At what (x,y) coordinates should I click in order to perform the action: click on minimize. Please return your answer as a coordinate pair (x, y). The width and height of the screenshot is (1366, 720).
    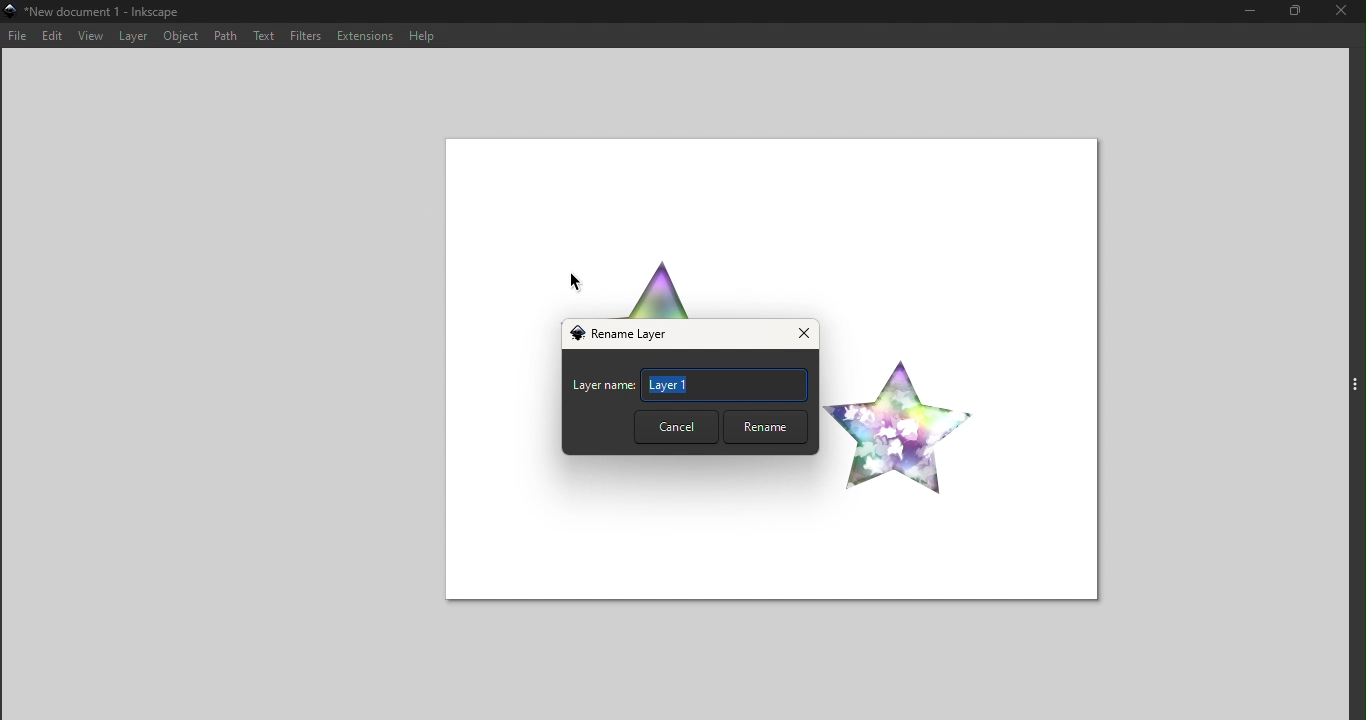
    Looking at the image, I should click on (1249, 12).